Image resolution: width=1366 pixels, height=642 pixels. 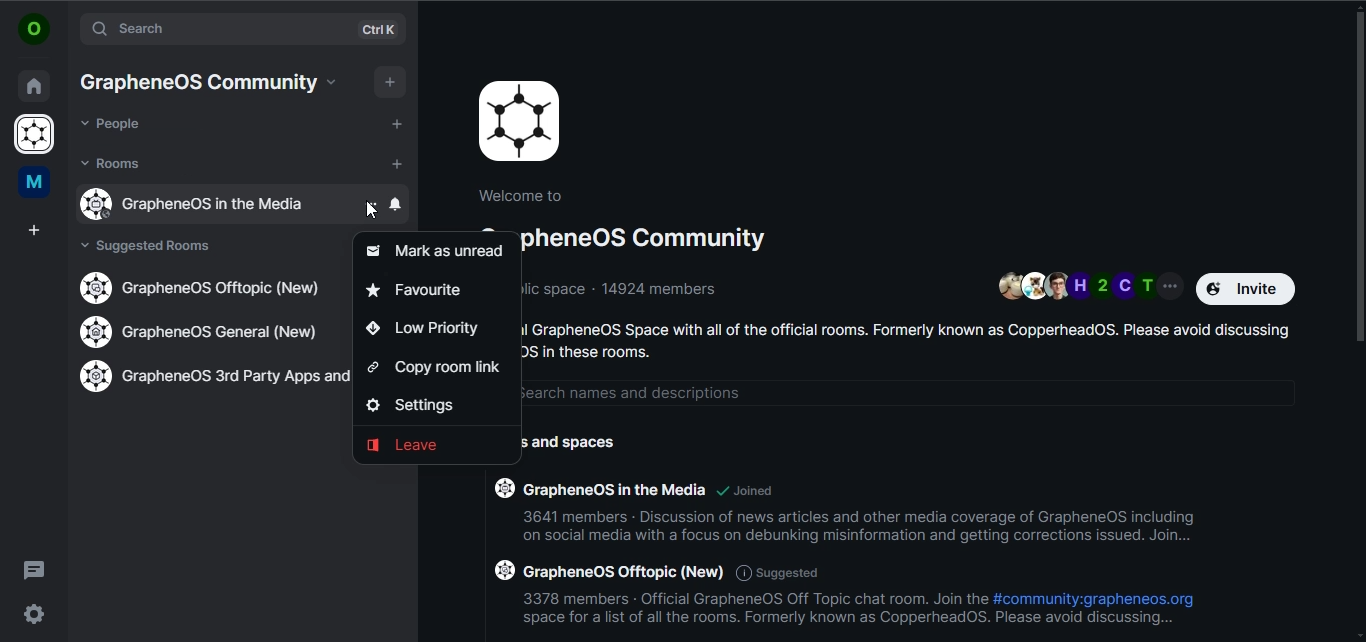 I want to click on quicker settings, so click(x=32, y=612).